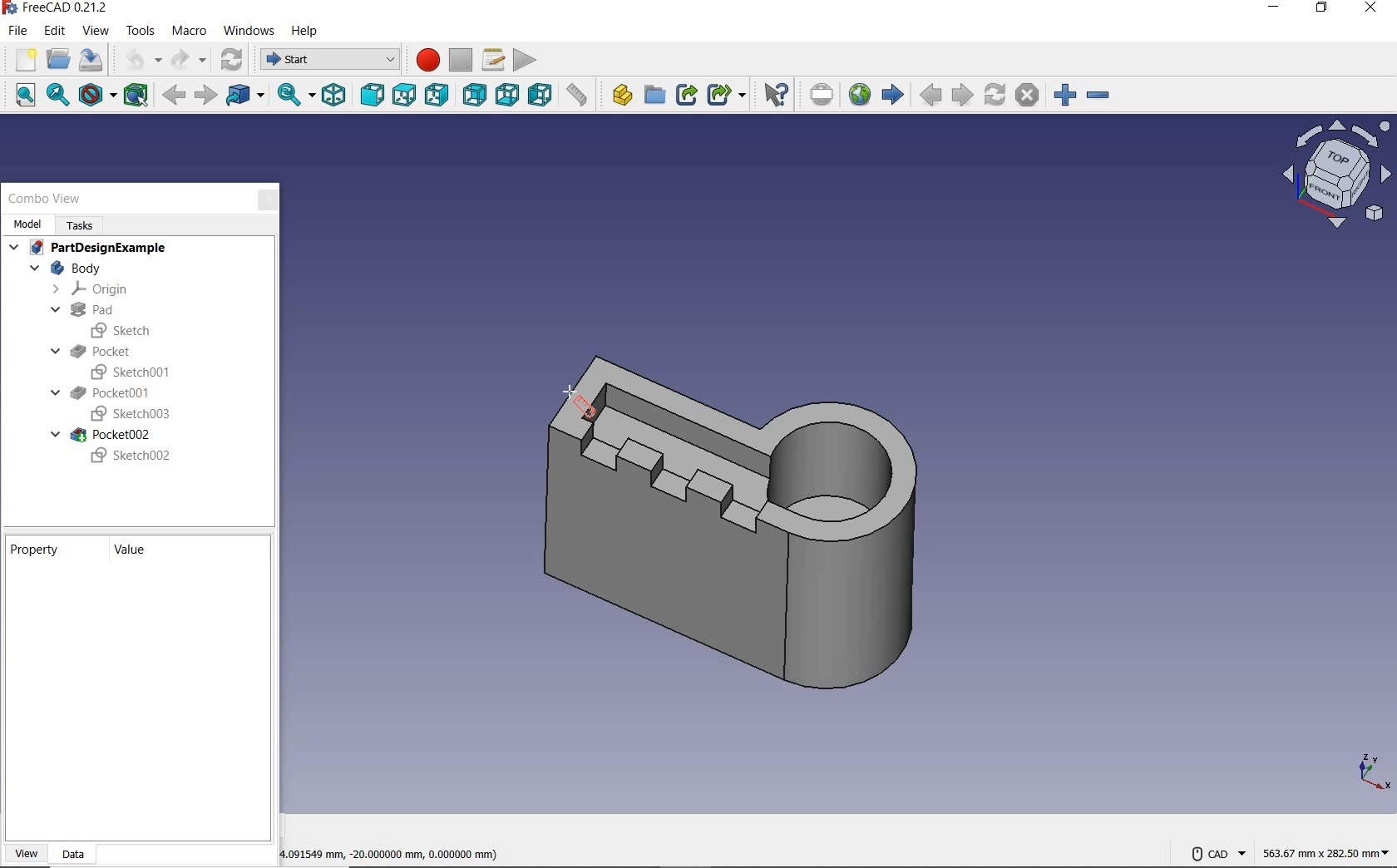 The height and width of the screenshot is (868, 1397). Describe the element at coordinates (189, 62) in the screenshot. I see `redo` at that location.